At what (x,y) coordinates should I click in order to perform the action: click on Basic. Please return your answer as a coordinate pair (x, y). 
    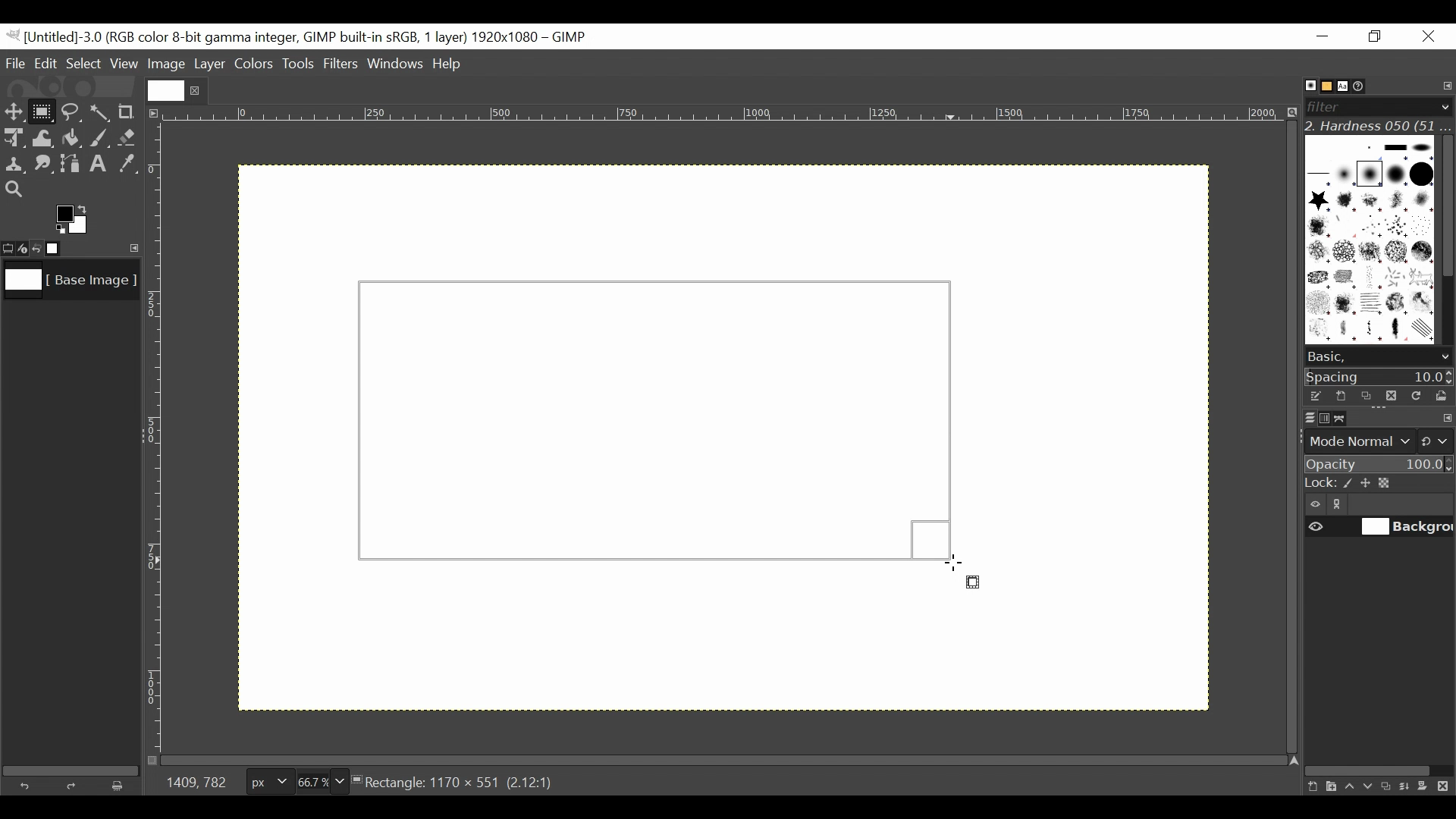
    Looking at the image, I should click on (1323, 86).